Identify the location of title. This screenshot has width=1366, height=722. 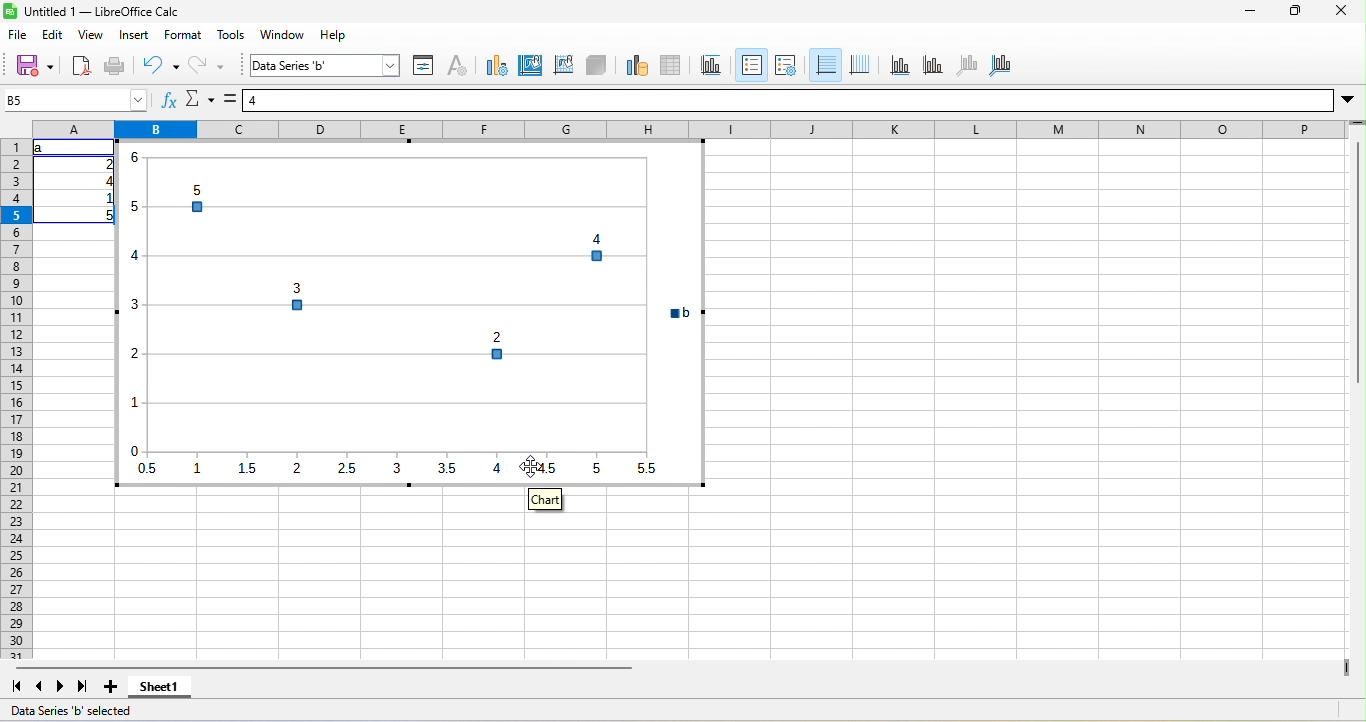
(712, 67).